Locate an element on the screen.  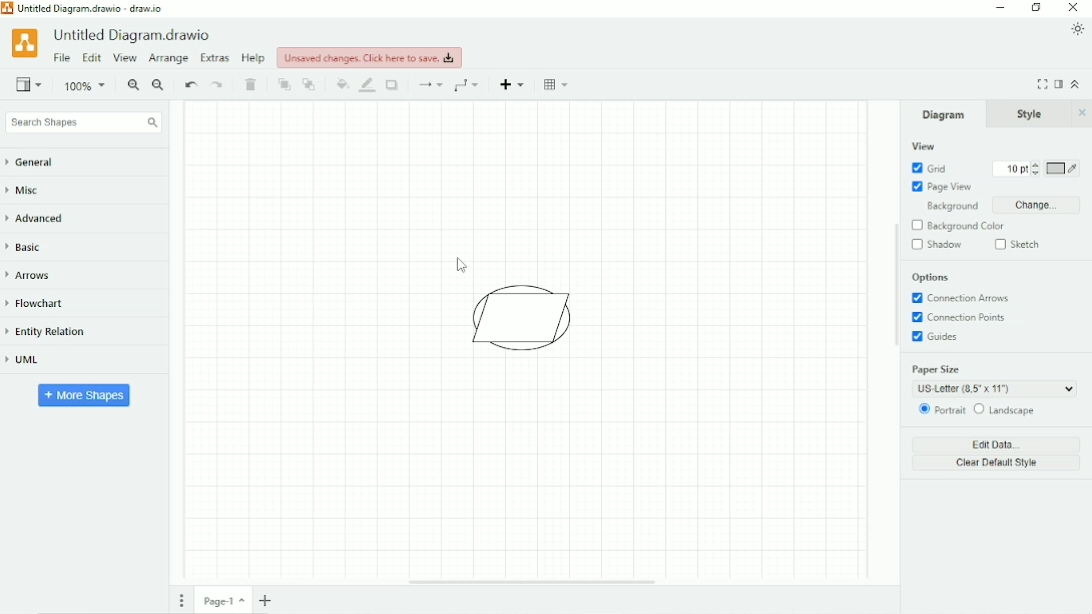
Horizontal scrollbar is located at coordinates (532, 582).